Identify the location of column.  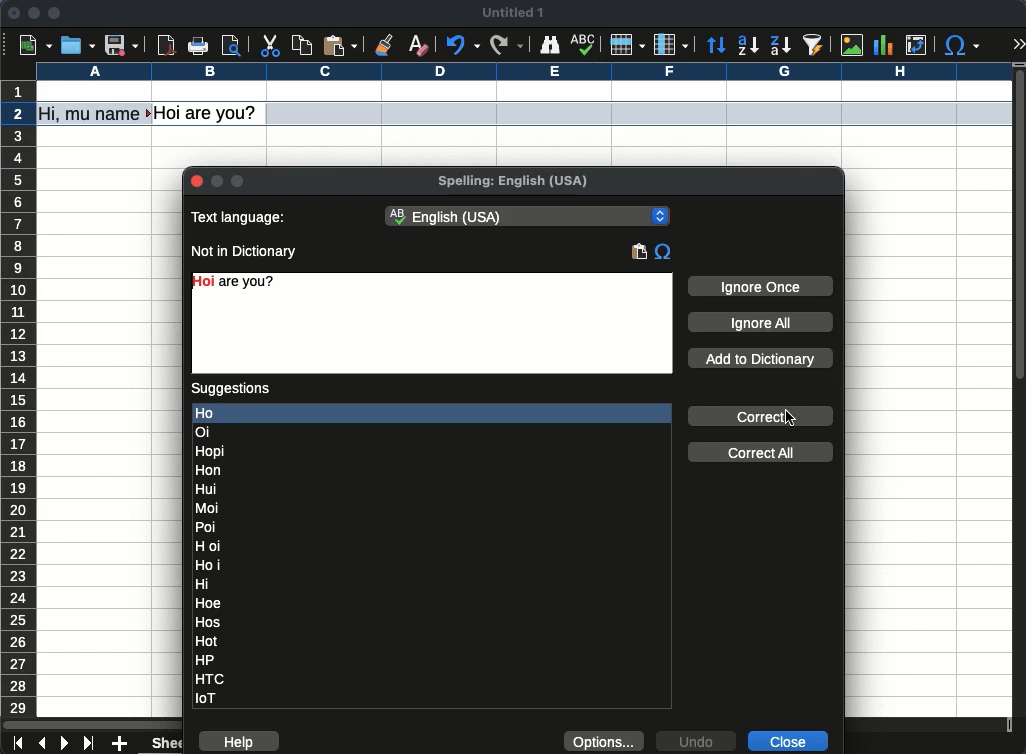
(523, 71).